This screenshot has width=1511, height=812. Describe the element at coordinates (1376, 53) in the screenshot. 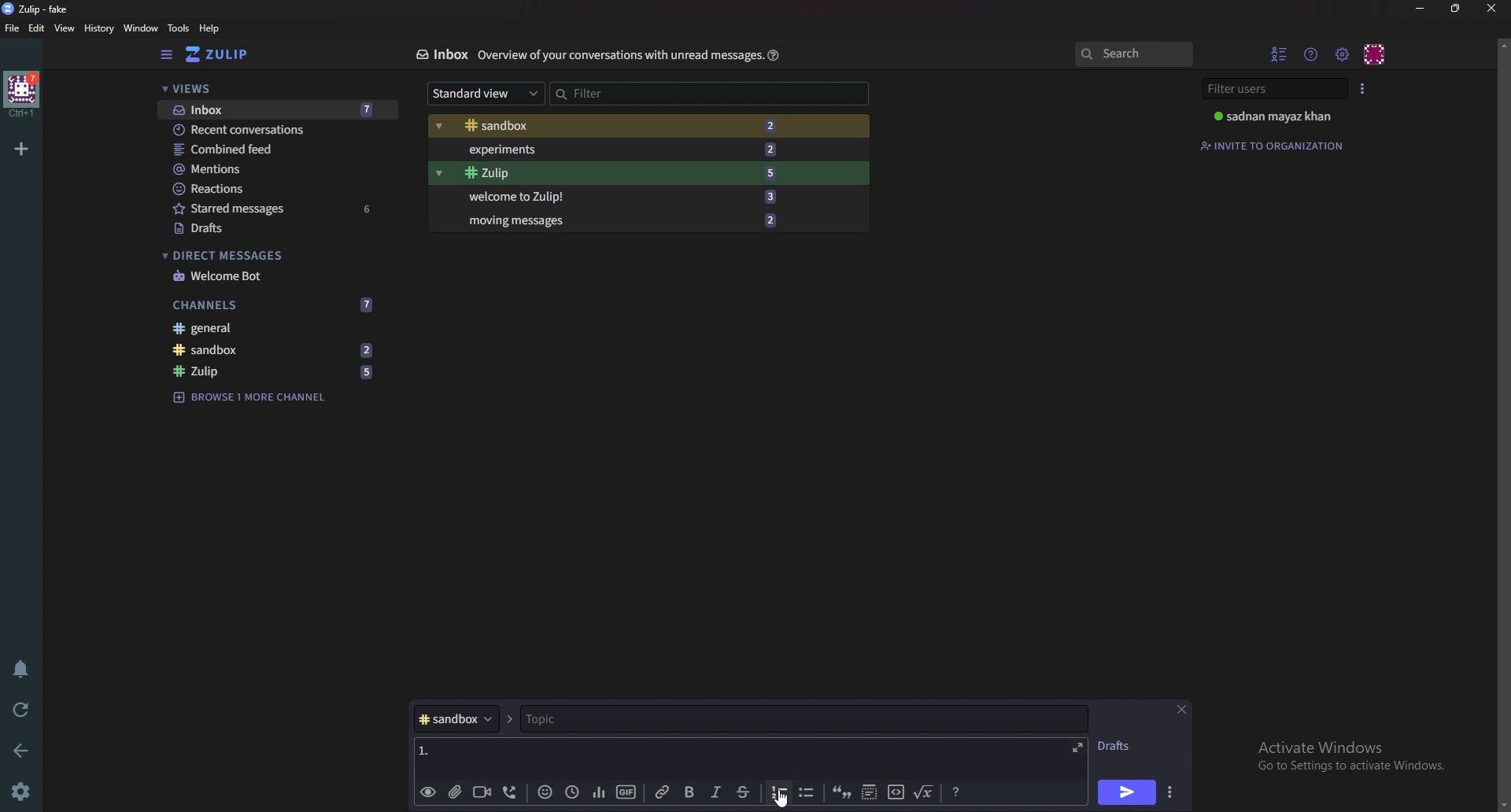

I see `Personal menu` at that location.